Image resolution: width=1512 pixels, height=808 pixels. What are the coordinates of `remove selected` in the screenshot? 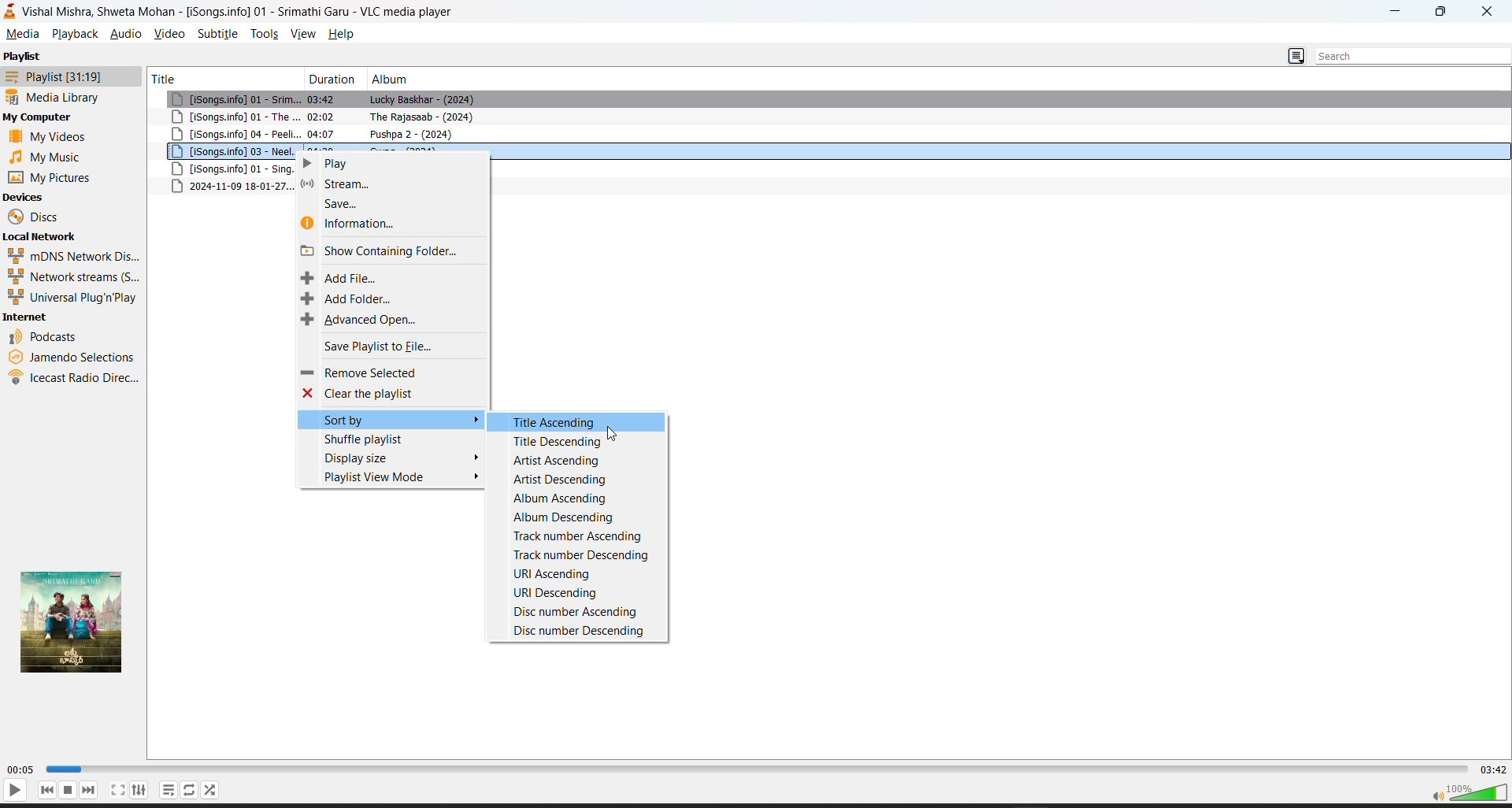 It's located at (394, 371).